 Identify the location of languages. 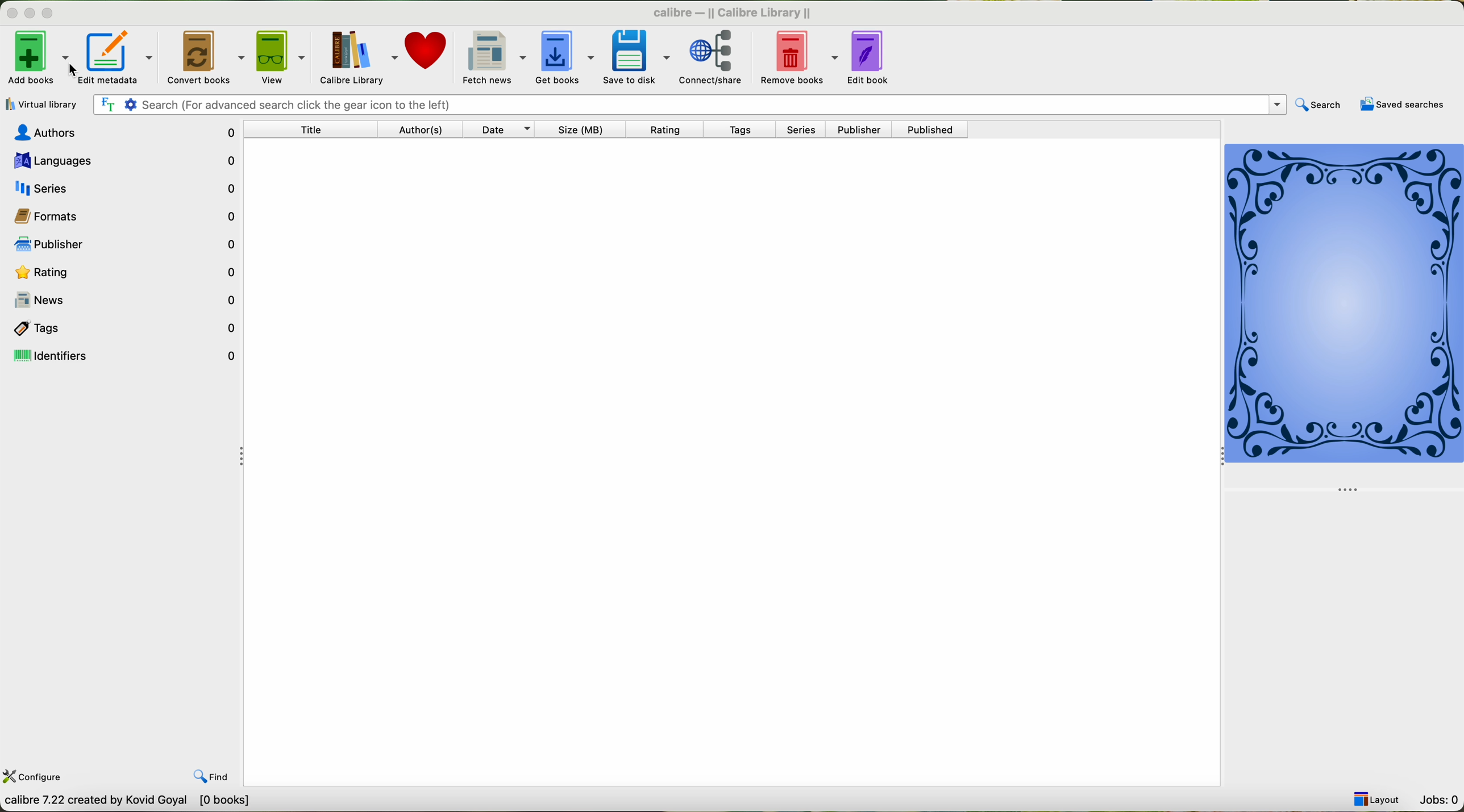
(121, 161).